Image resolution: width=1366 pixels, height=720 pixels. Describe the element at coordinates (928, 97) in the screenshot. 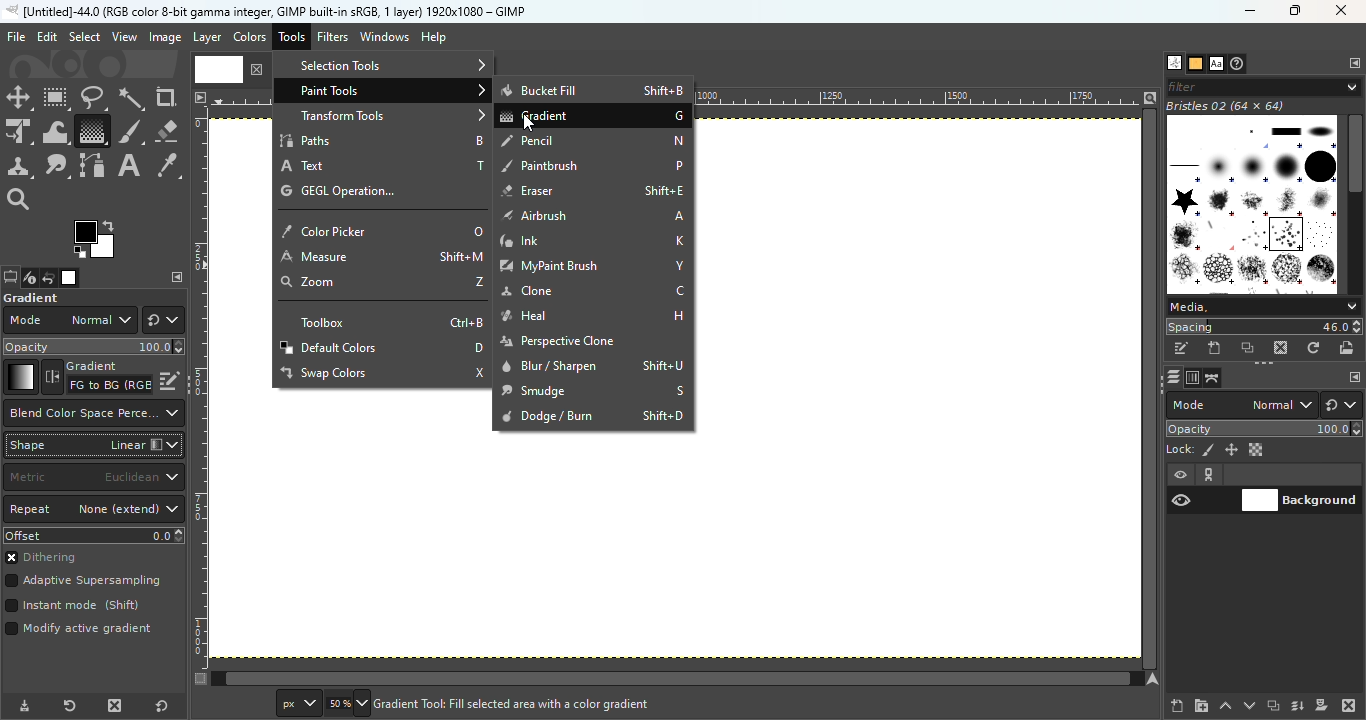

I see `Ruler Measurement` at that location.